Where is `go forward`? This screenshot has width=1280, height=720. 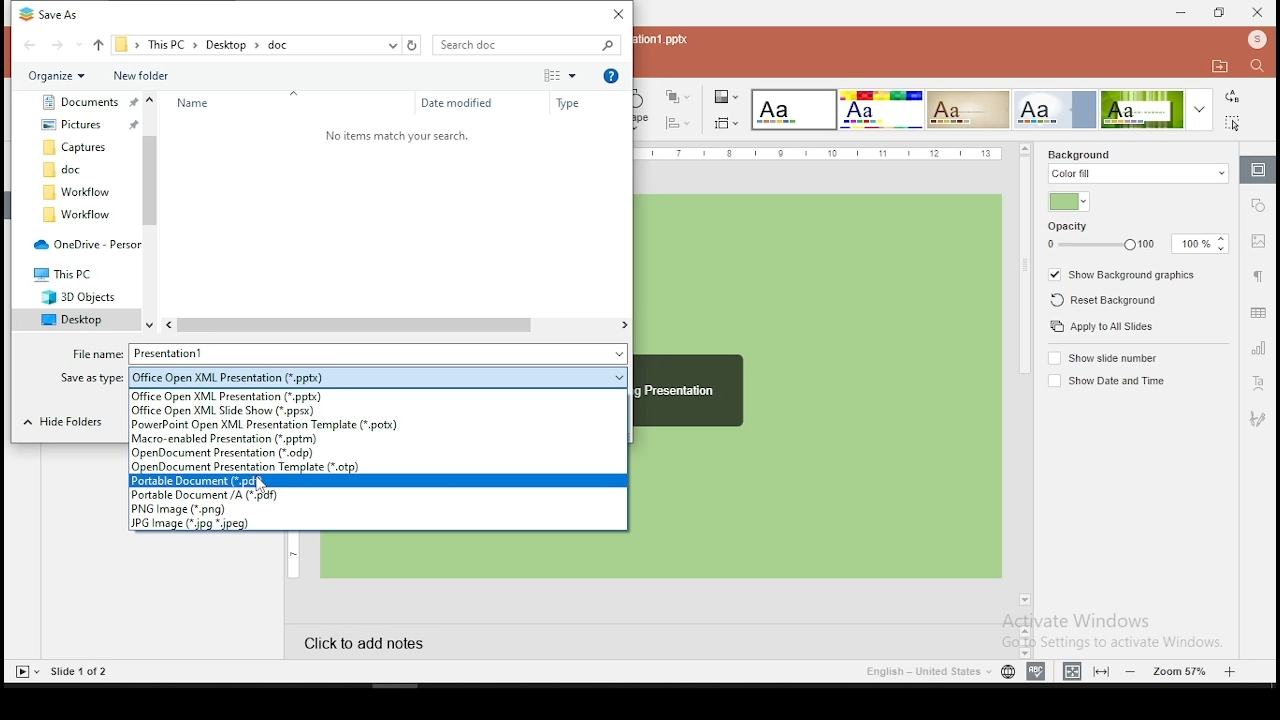
go forward is located at coordinates (65, 45).